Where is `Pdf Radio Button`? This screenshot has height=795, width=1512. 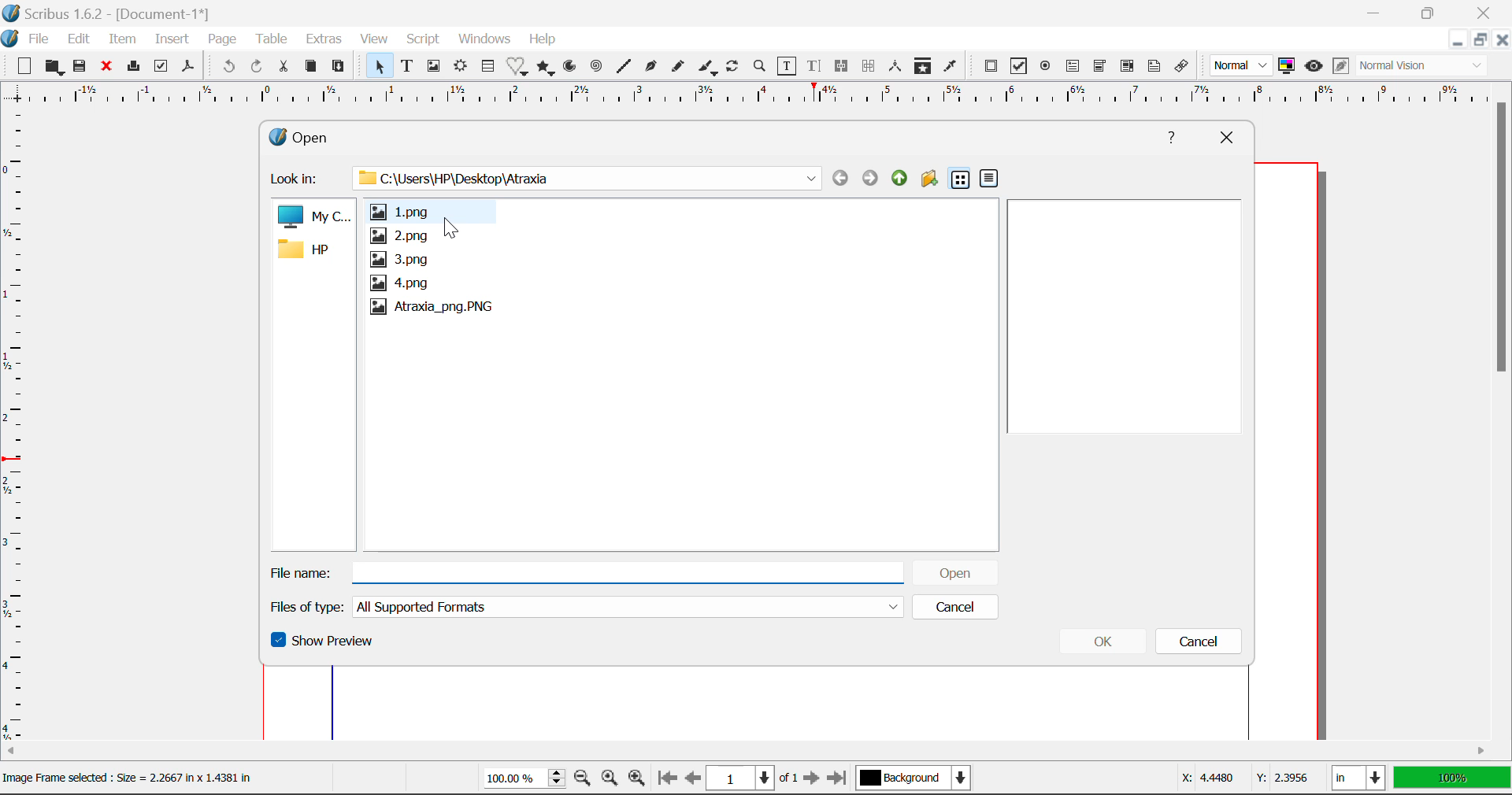
Pdf Radio Button is located at coordinates (1047, 68).